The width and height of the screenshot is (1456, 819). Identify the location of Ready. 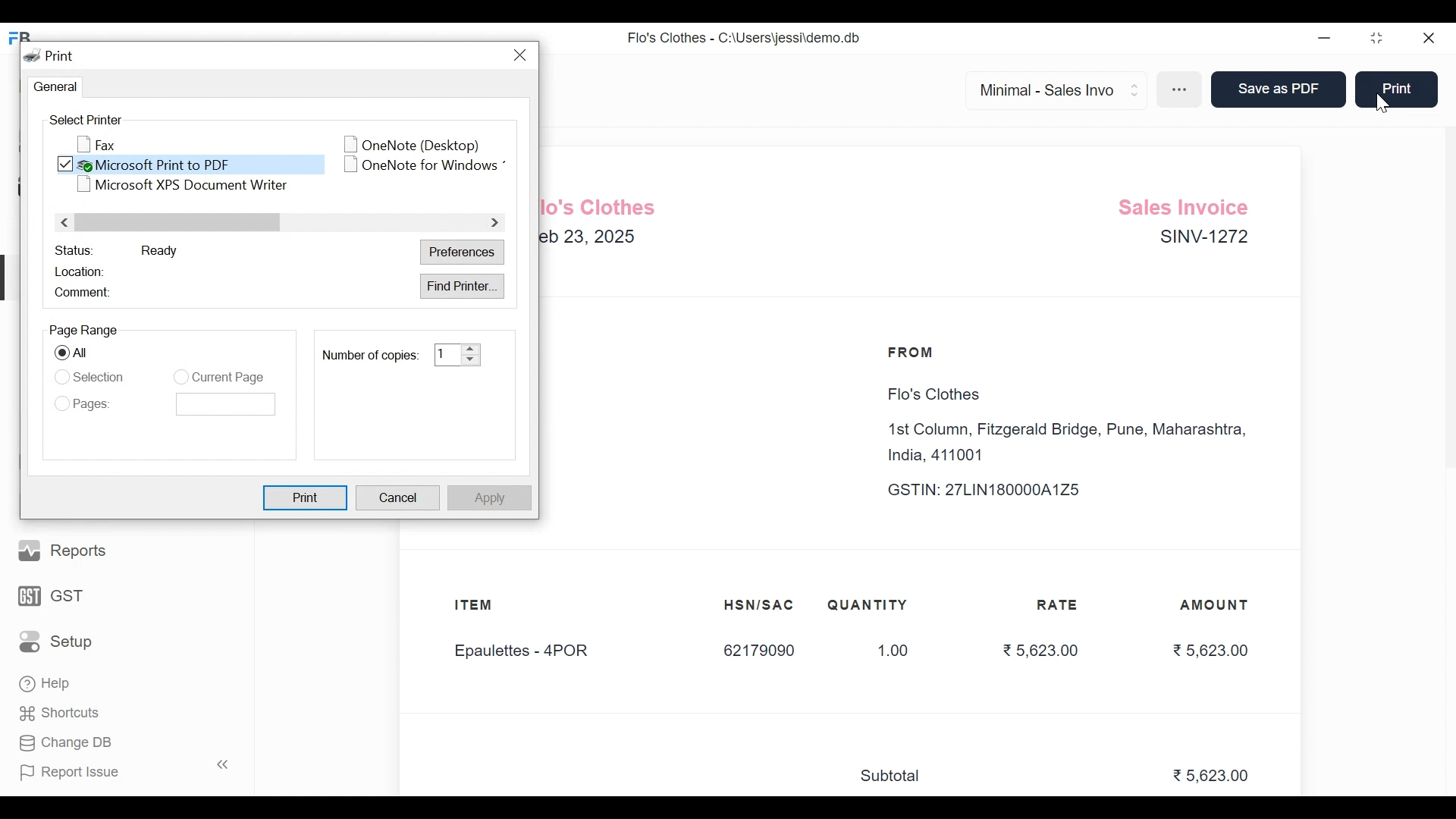
(159, 250).